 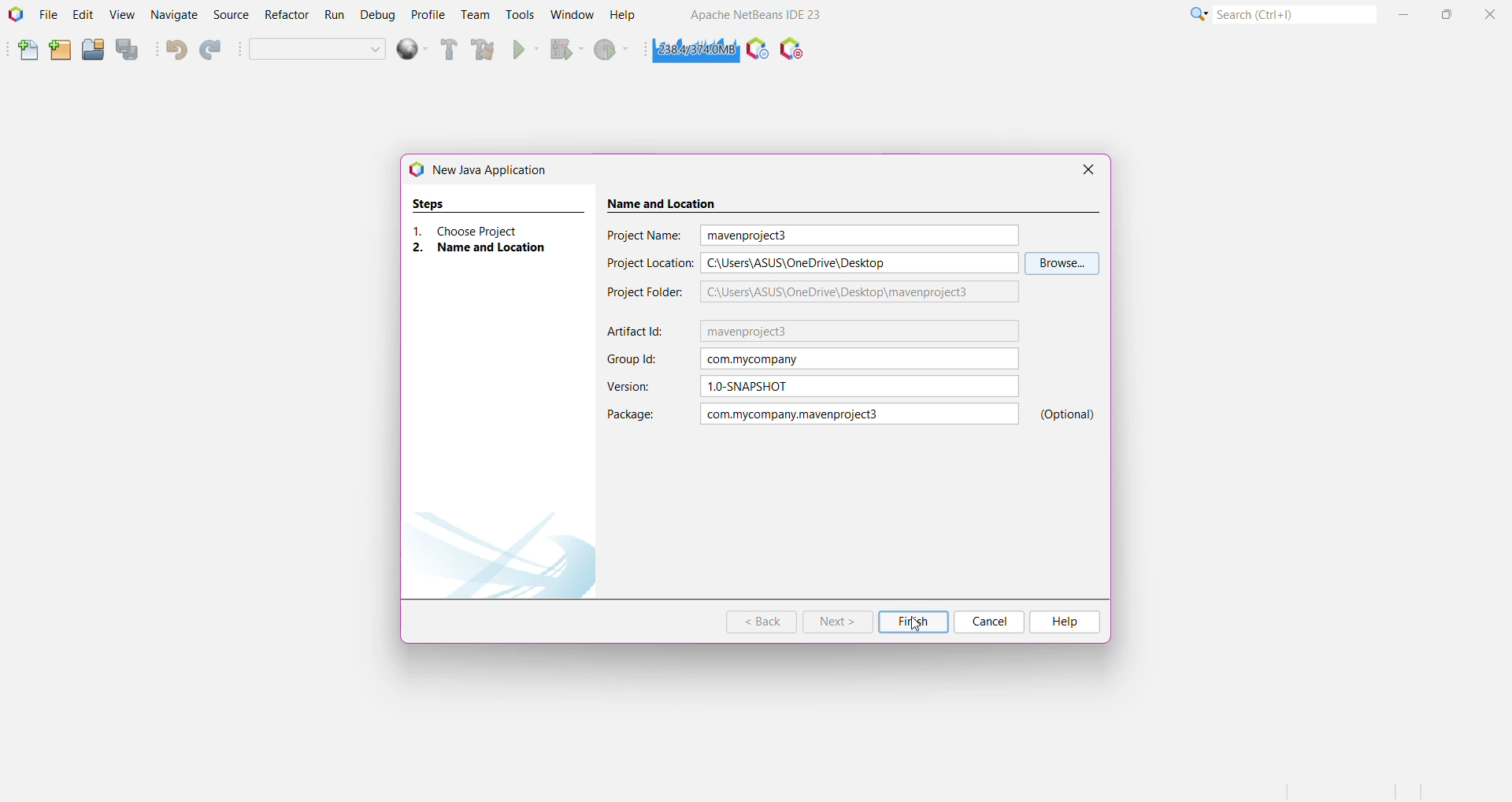 I want to click on Click to force garbage collection, so click(x=692, y=50).